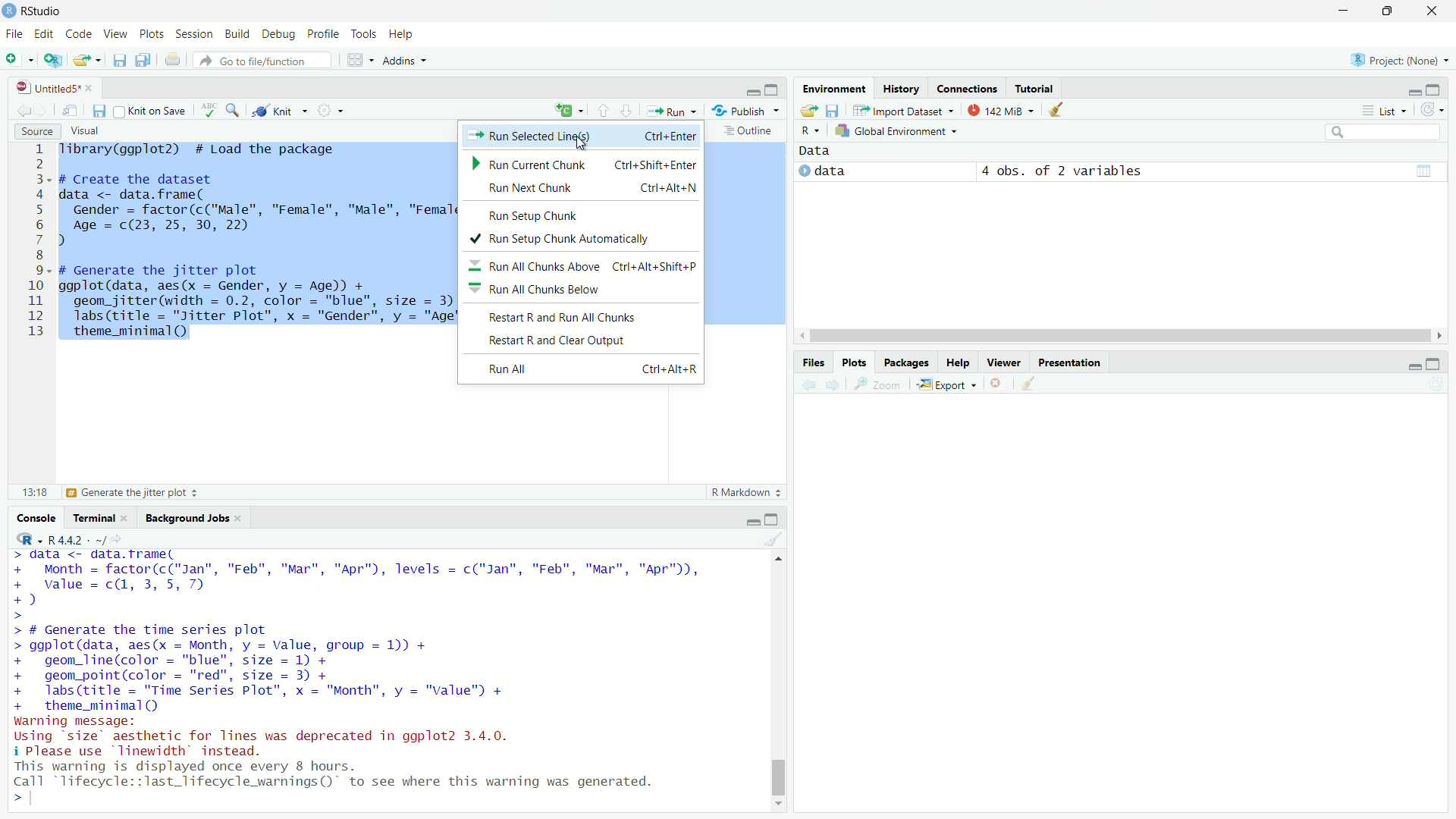 The height and width of the screenshot is (819, 1456). I want to click on addins, so click(405, 60).